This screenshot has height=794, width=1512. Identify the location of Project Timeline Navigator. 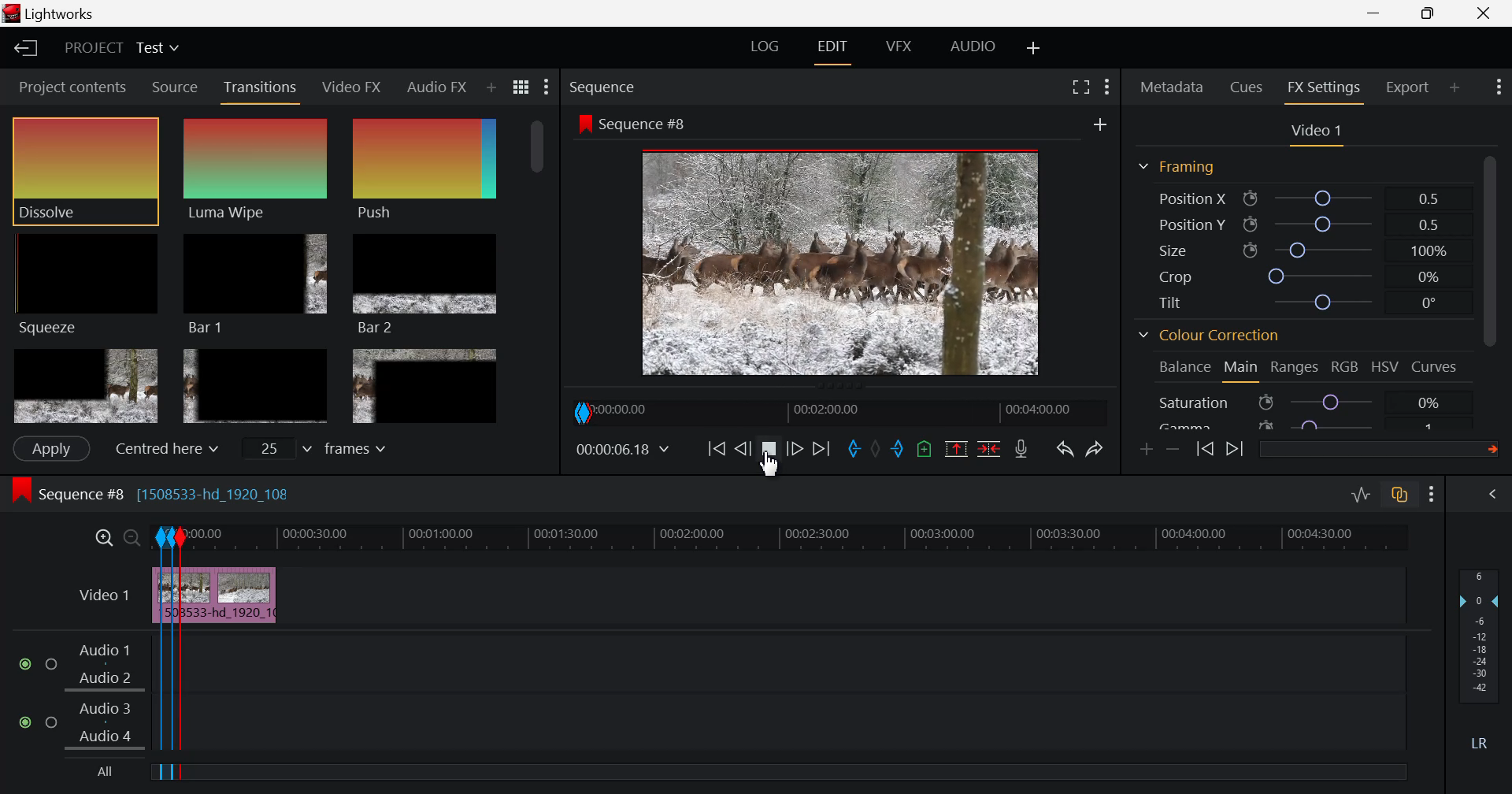
(838, 412).